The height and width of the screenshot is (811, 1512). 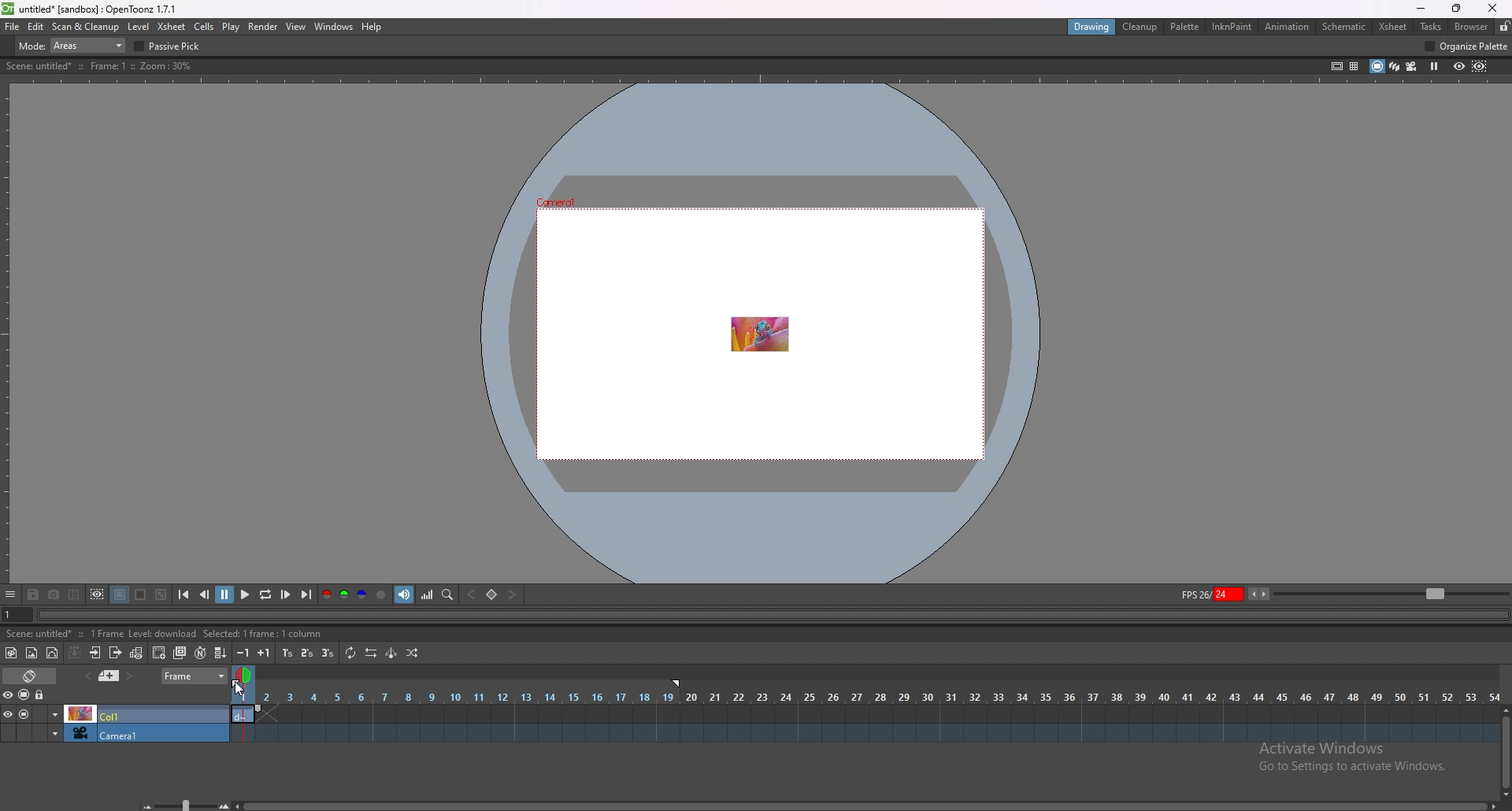 What do you see at coordinates (36, 27) in the screenshot?
I see `edit` at bounding box center [36, 27].